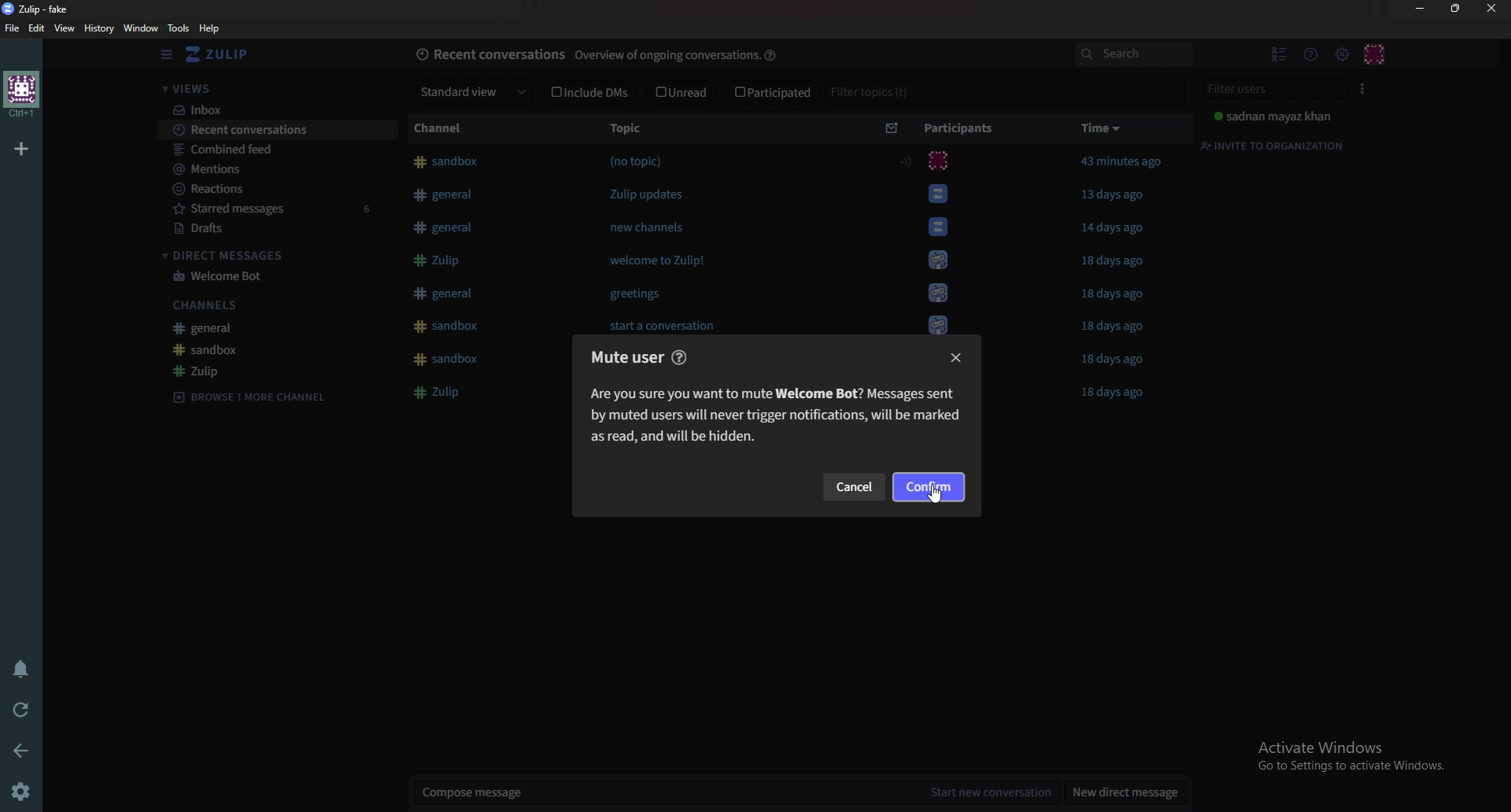 The width and height of the screenshot is (1511, 812). What do you see at coordinates (632, 128) in the screenshot?
I see `Topic` at bounding box center [632, 128].